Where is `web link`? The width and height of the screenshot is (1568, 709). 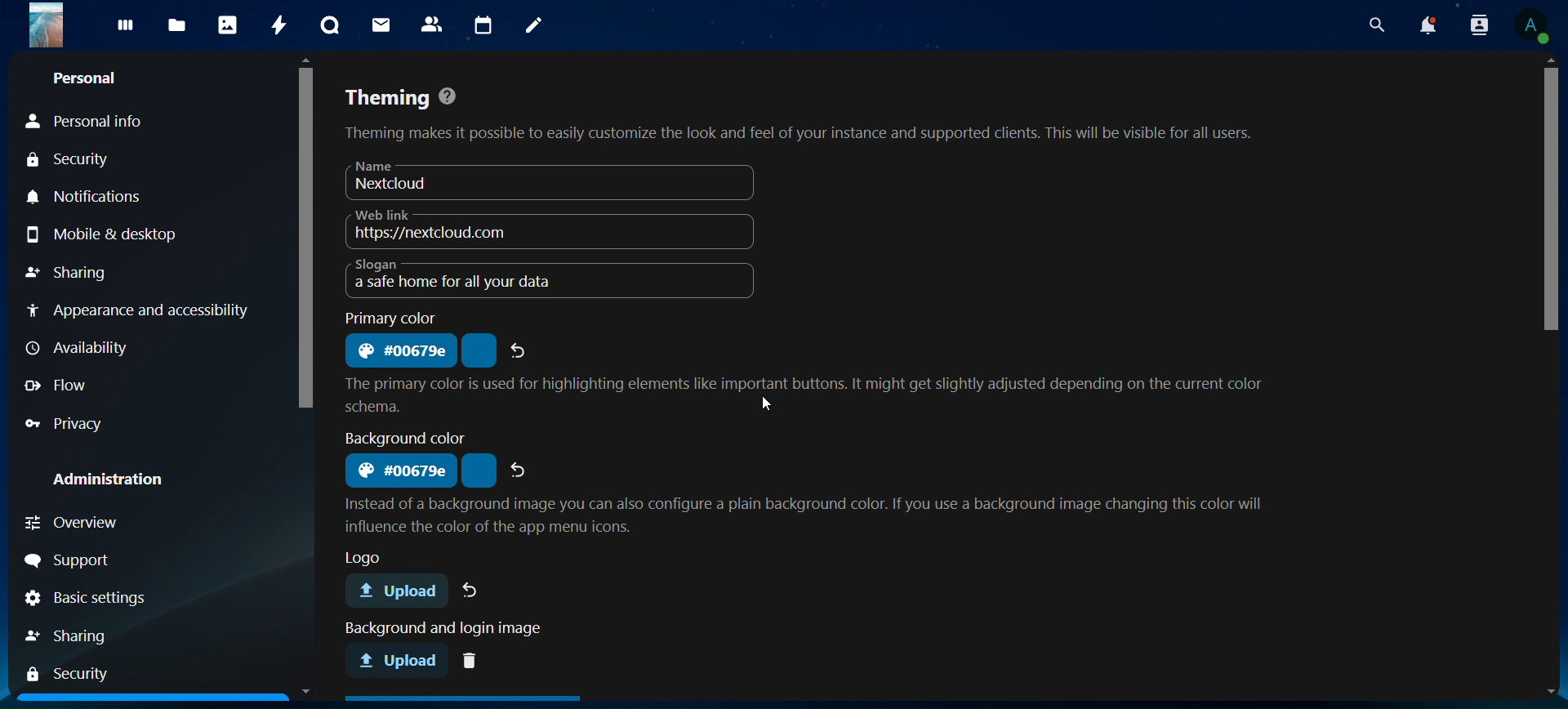
web link is located at coordinates (468, 227).